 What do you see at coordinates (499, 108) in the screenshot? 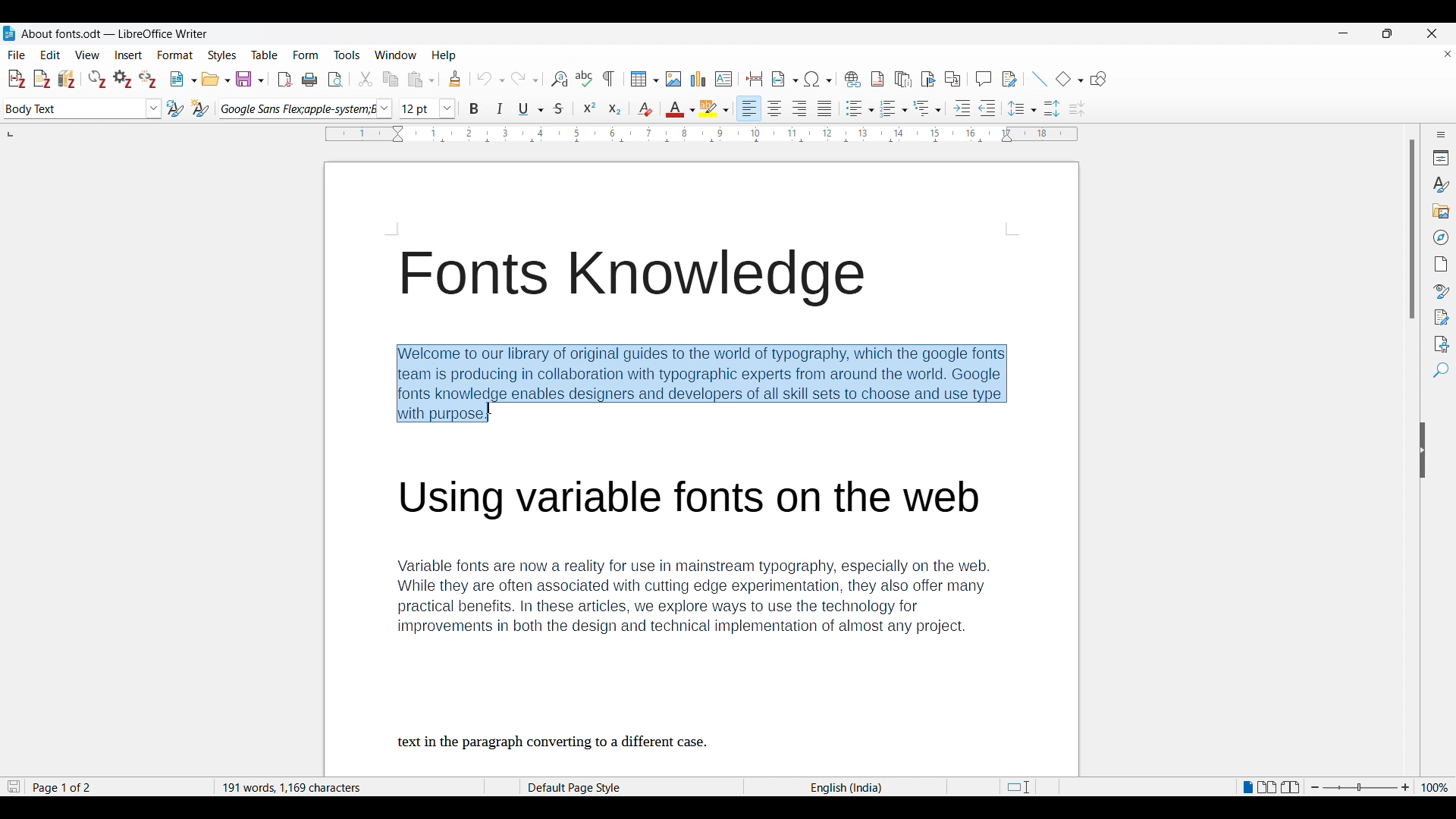
I see `Italics` at bounding box center [499, 108].